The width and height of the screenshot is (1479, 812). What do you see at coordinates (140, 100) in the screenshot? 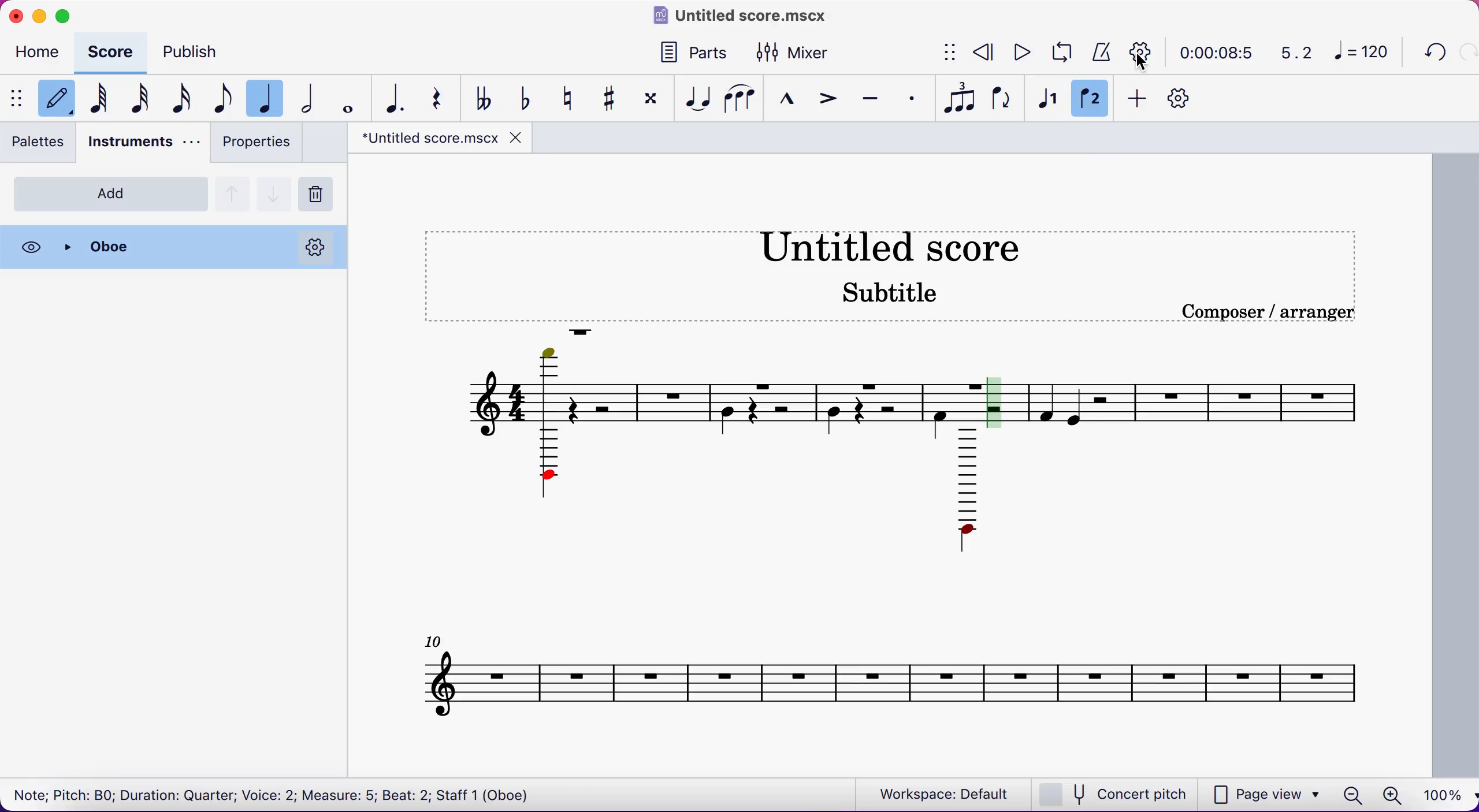
I see `32nd note` at bounding box center [140, 100].